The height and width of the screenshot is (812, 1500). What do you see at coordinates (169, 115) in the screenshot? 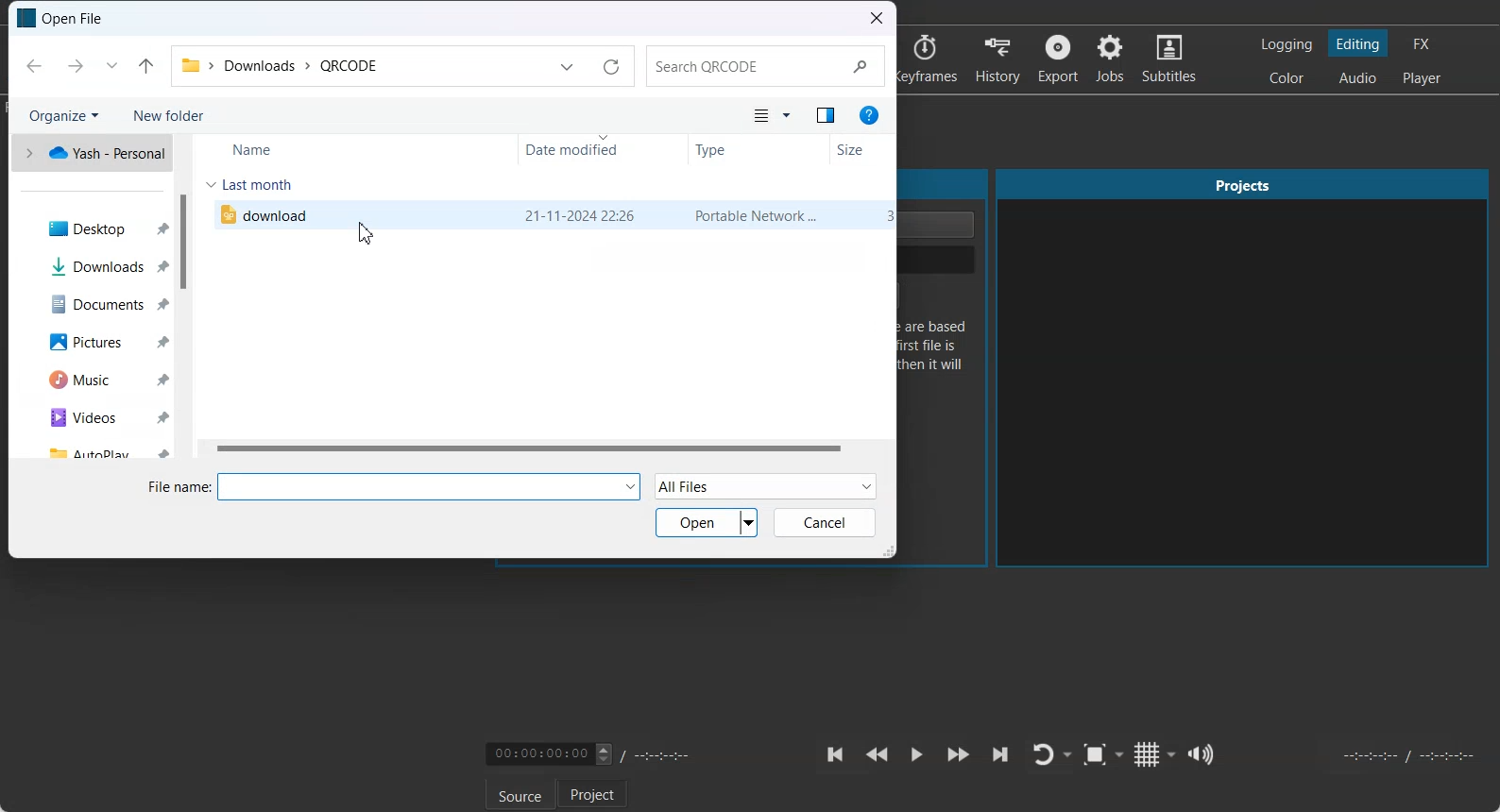
I see `New Folder` at bounding box center [169, 115].